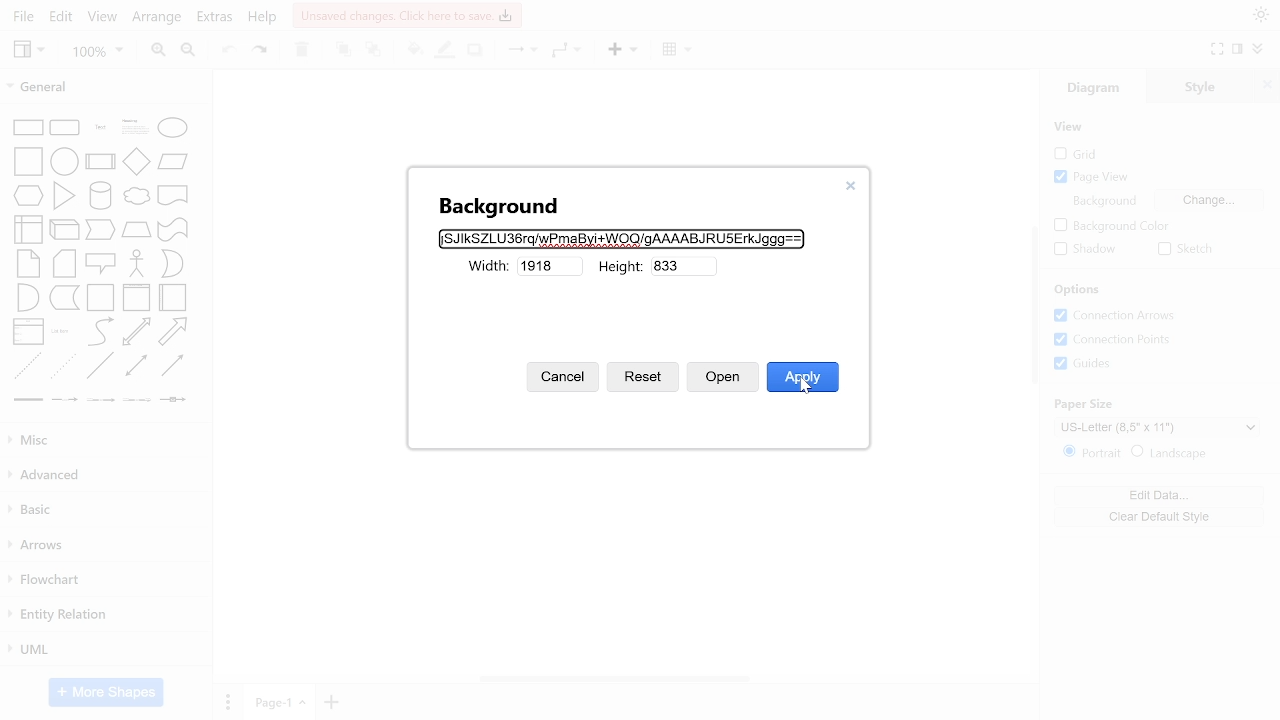 Image resolution: width=1280 pixels, height=720 pixels. What do you see at coordinates (230, 50) in the screenshot?
I see `undo` at bounding box center [230, 50].